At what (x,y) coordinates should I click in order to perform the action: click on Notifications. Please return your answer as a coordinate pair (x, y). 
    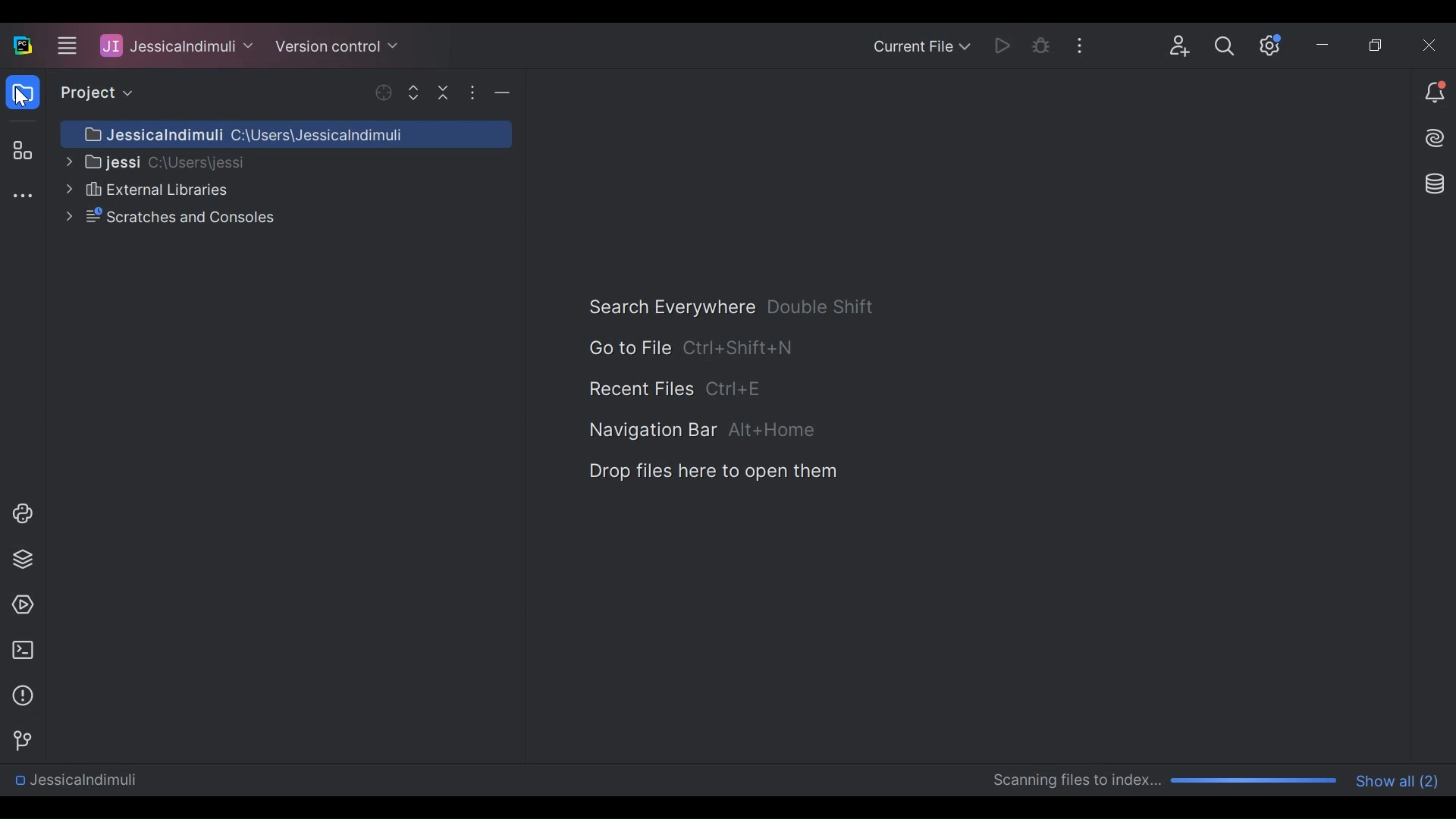
    Looking at the image, I should click on (1434, 96).